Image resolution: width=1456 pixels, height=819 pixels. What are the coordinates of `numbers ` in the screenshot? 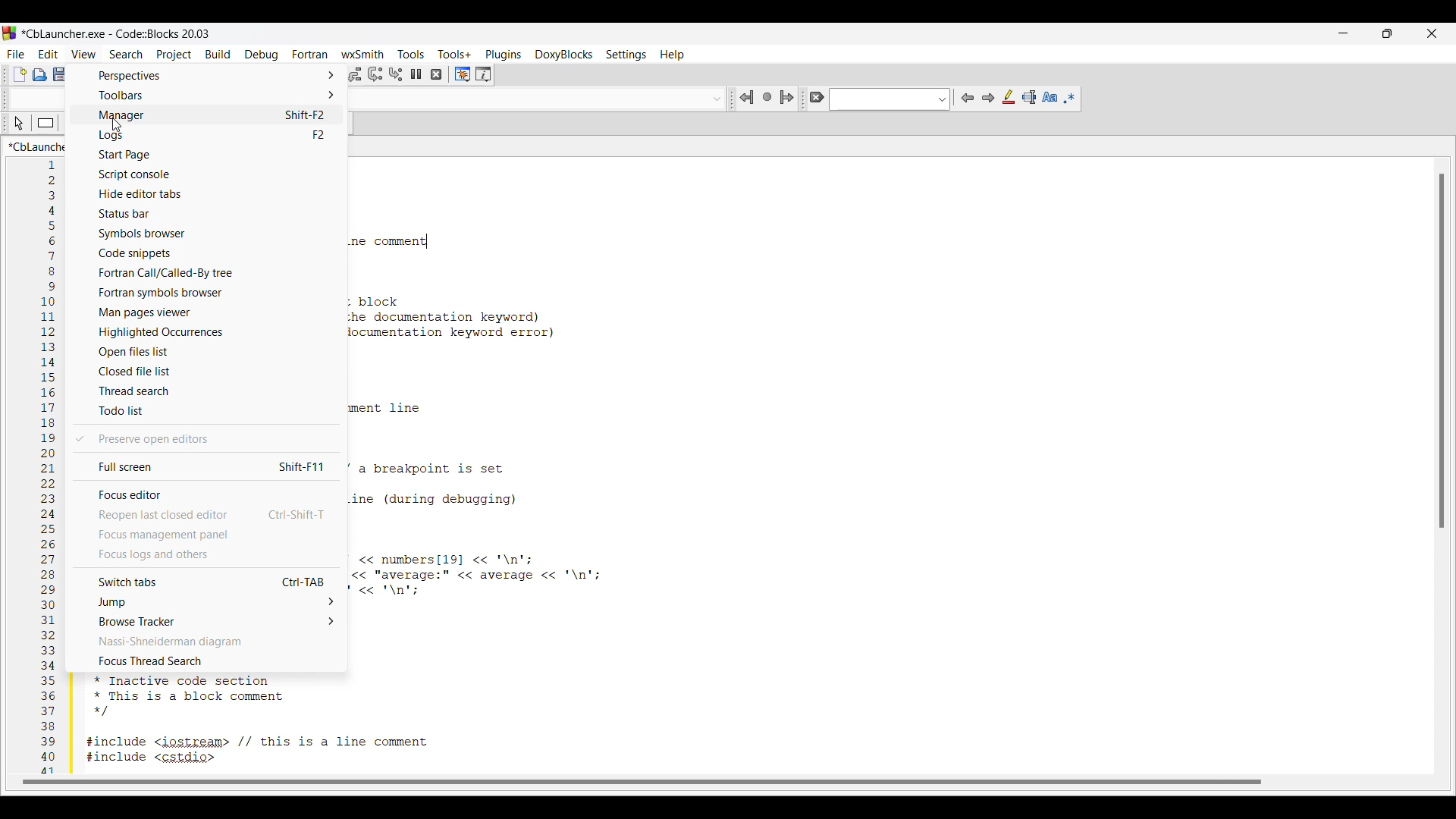 It's located at (45, 467).